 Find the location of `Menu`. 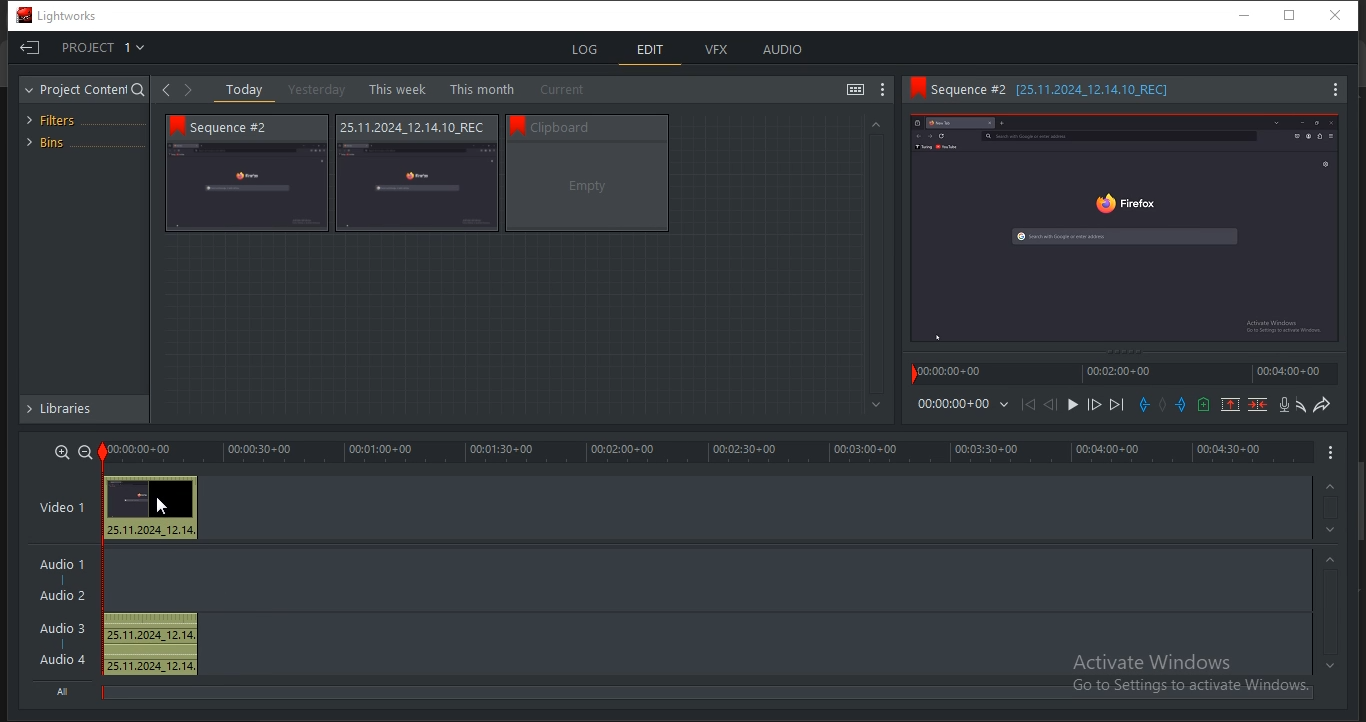

Menu is located at coordinates (1332, 453).